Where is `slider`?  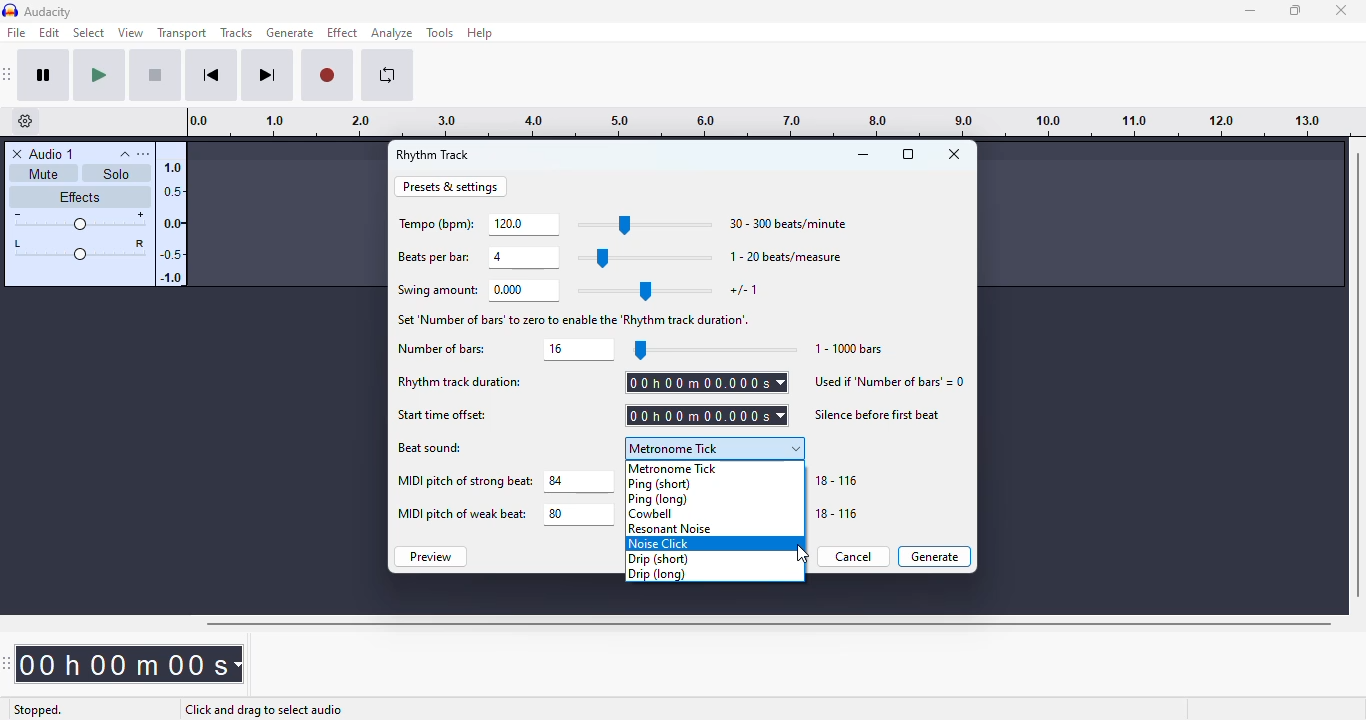 slider is located at coordinates (645, 224).